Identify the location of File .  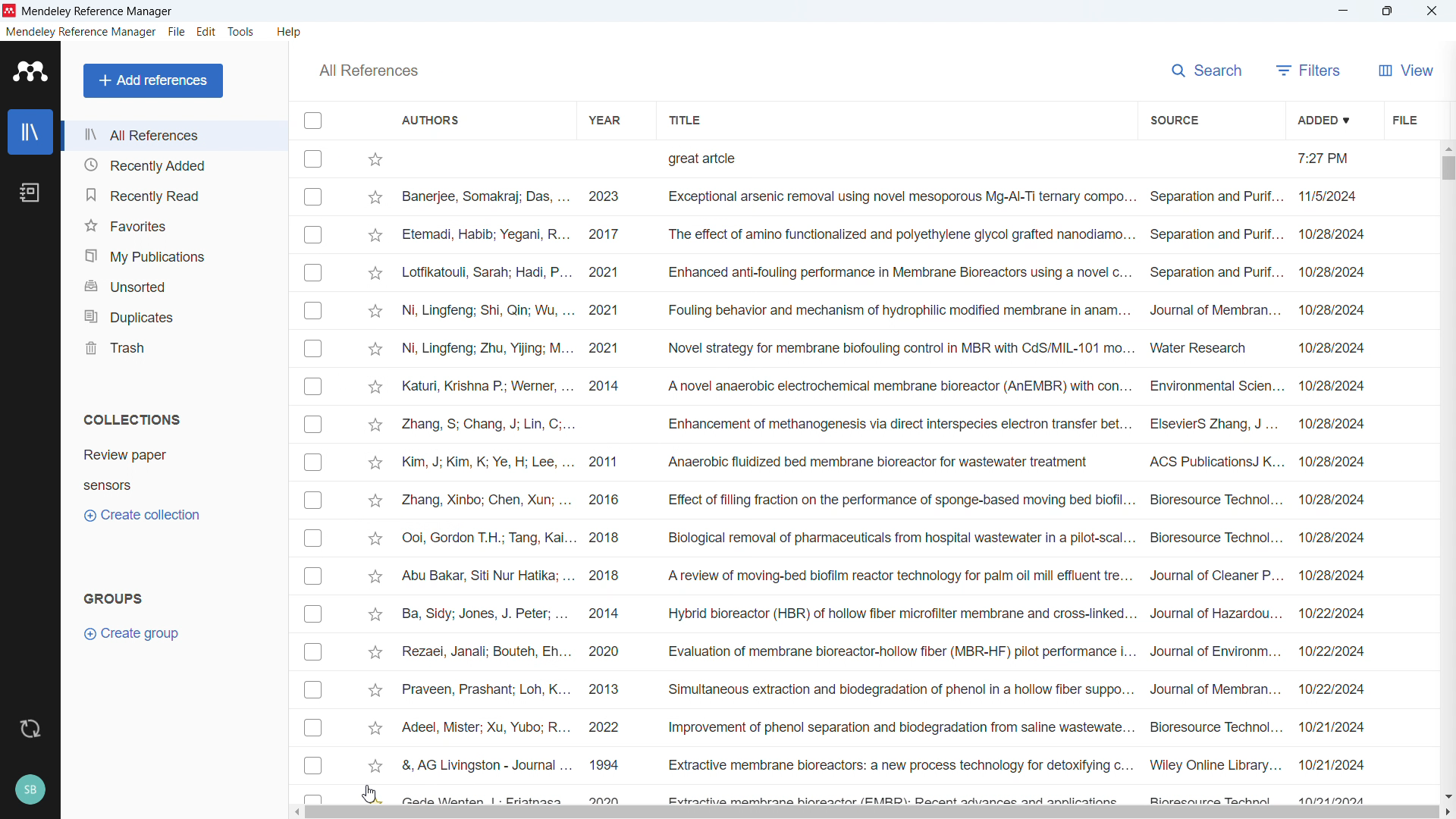
(1403, 119).